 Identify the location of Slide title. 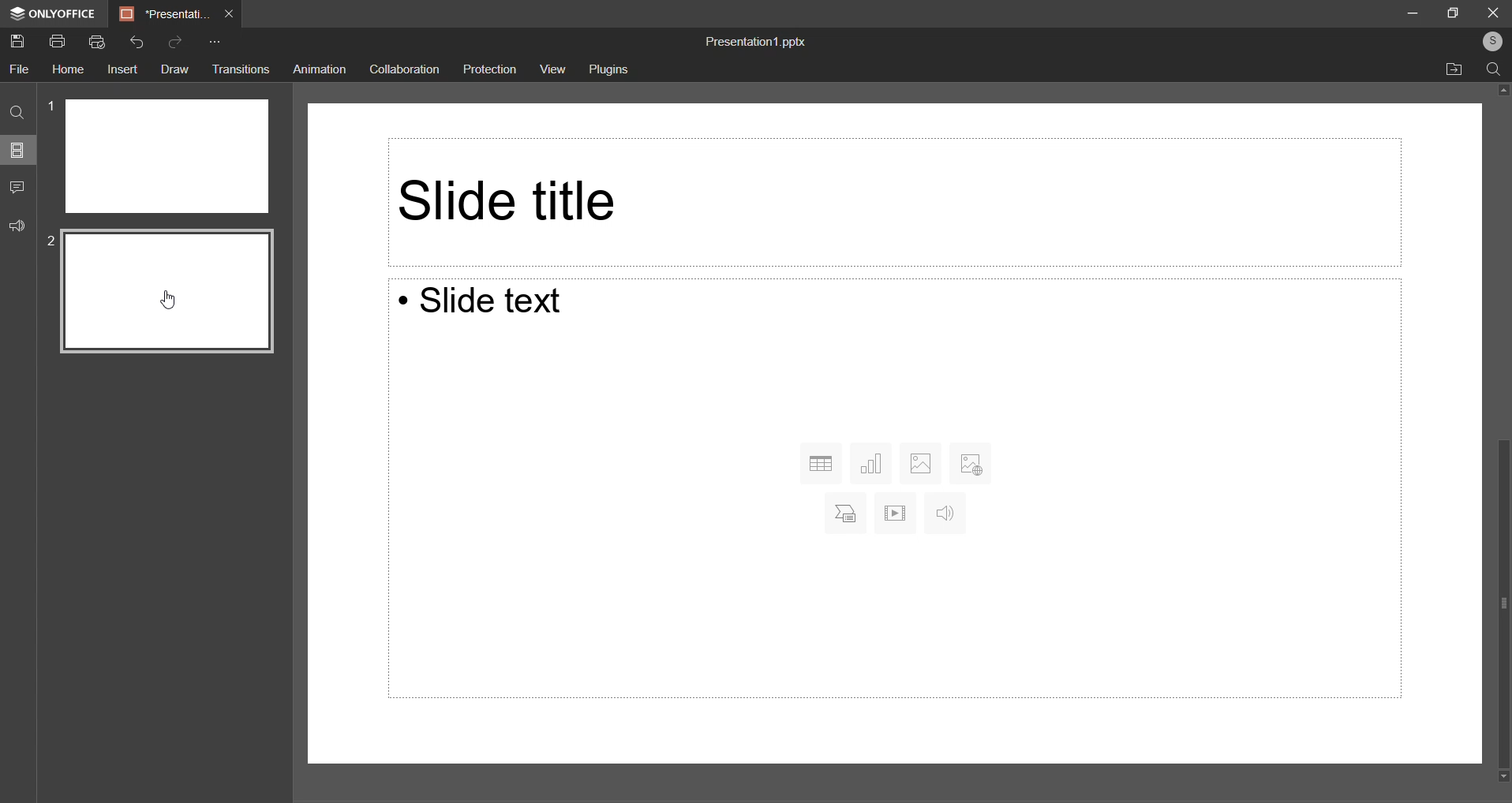
(888, 200).